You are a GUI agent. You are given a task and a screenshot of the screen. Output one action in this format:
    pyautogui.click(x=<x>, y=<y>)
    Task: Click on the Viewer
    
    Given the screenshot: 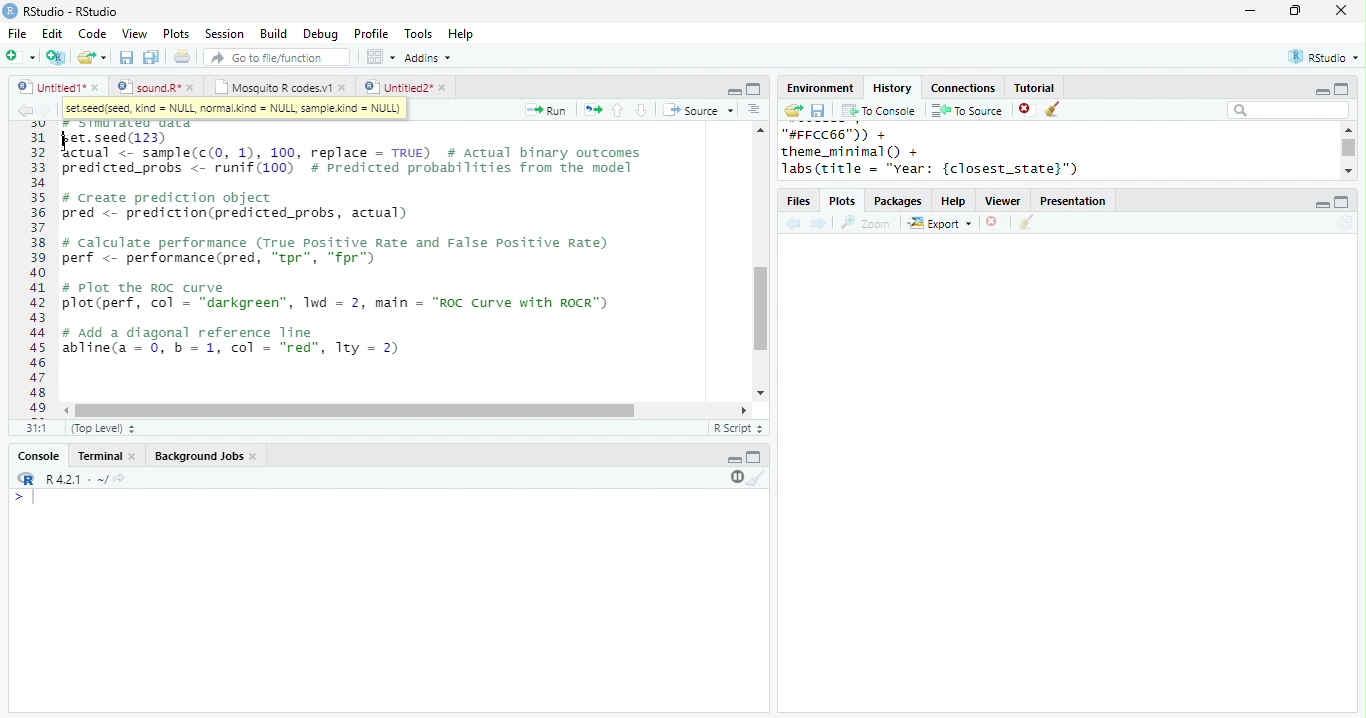 What is the action you would take?
    pyautogui.click(x=1004, y=202)
    